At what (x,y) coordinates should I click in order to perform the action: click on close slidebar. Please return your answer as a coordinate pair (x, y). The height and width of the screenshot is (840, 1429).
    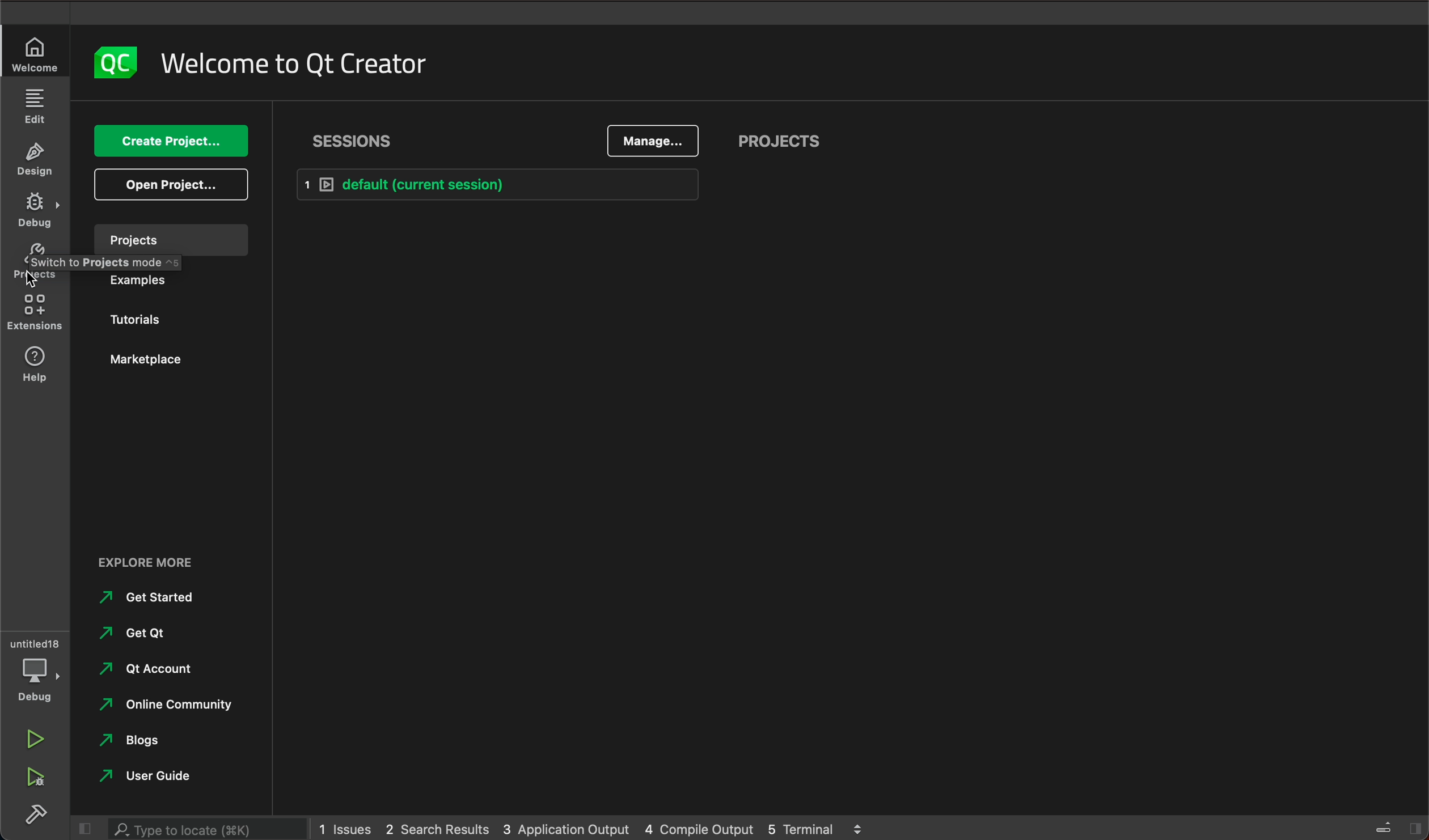
    Looking at the image, I should click on (90, 829).